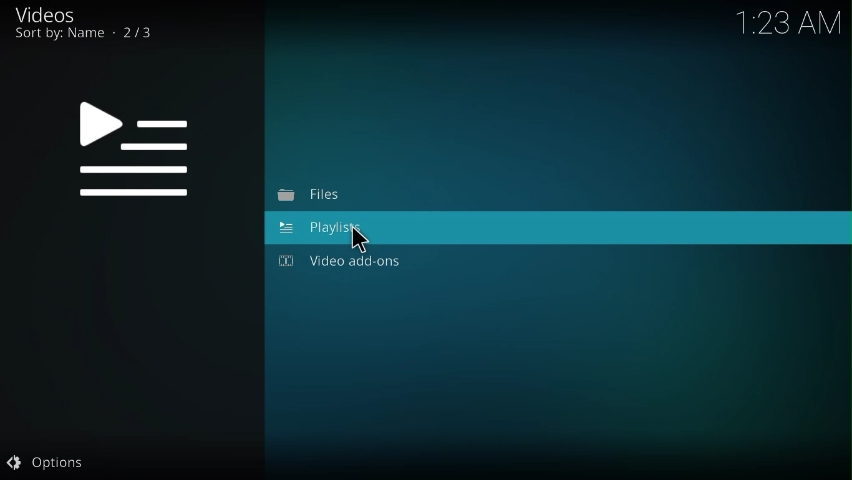 The height and width of the screenshot is (480, 852). I want to click on files, so click(312, 196).